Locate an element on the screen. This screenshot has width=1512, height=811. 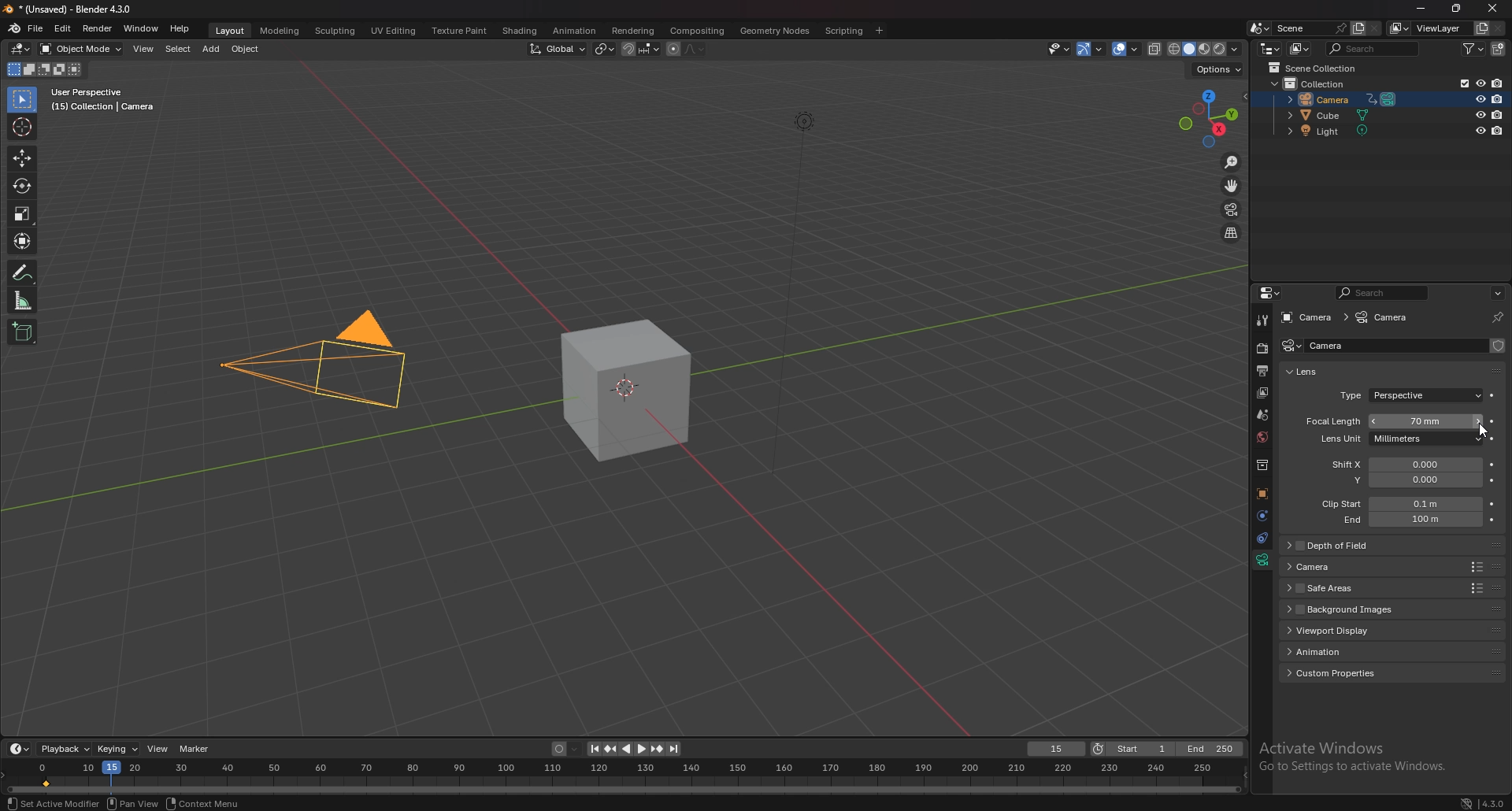
resize is located at coordinates (1457, 9).